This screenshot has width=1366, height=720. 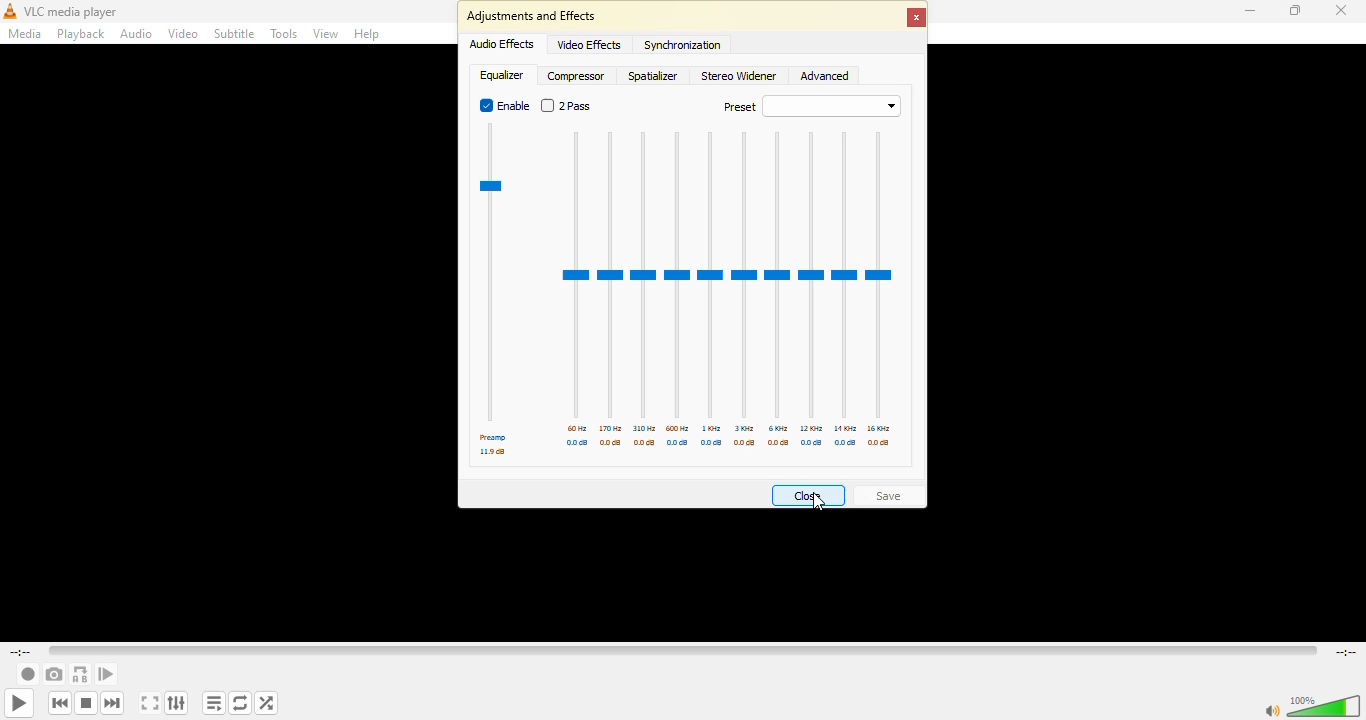 I want to click on elapsed time, so click(x=24, y=651).